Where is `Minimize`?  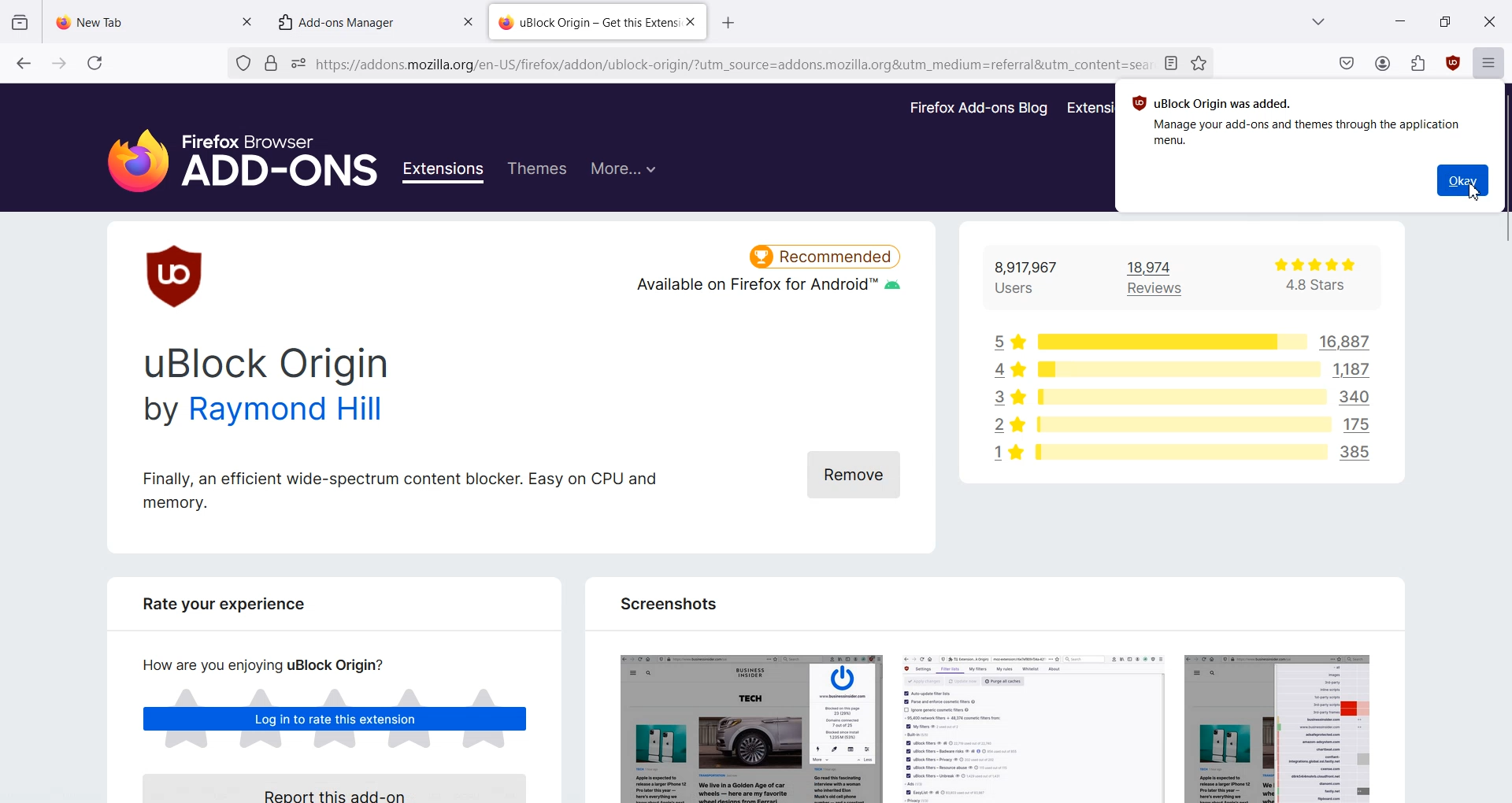
Minimize is located at coordinates (1400, 21).